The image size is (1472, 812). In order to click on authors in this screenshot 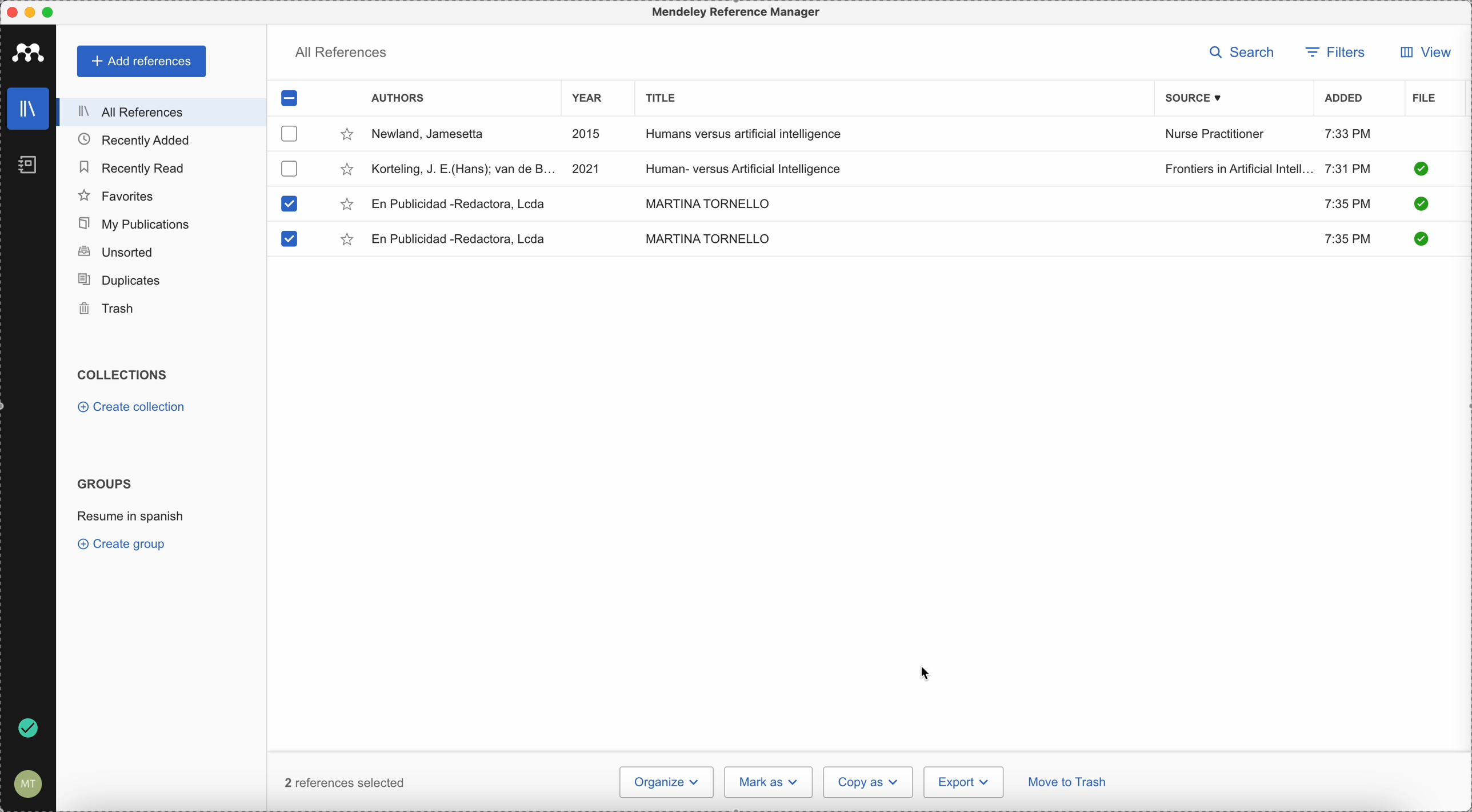, I will do `click(398, 99)`.